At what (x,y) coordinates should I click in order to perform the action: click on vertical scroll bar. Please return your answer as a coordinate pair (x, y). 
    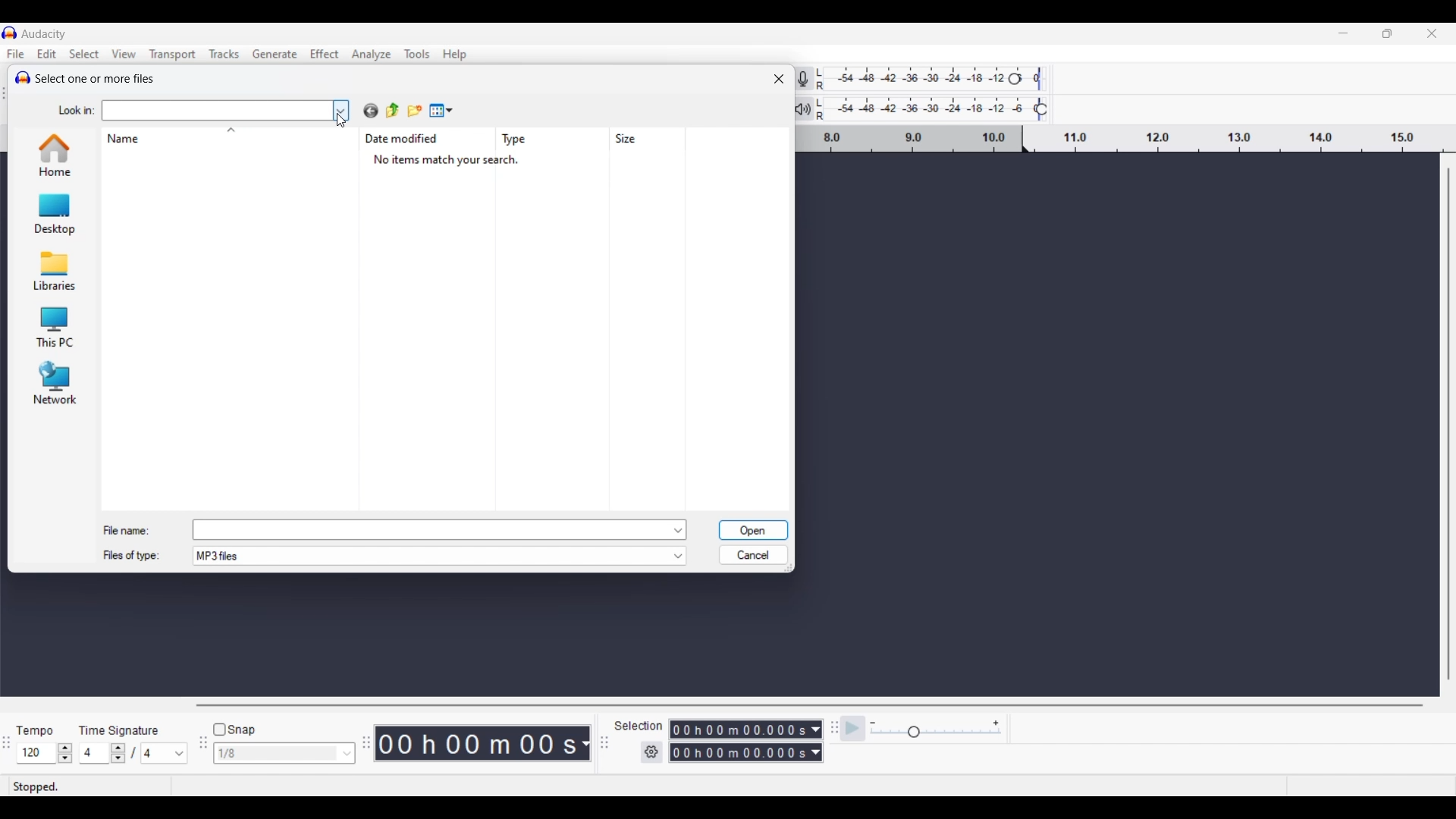
    Looking at the image, I should click on (1447, 427).